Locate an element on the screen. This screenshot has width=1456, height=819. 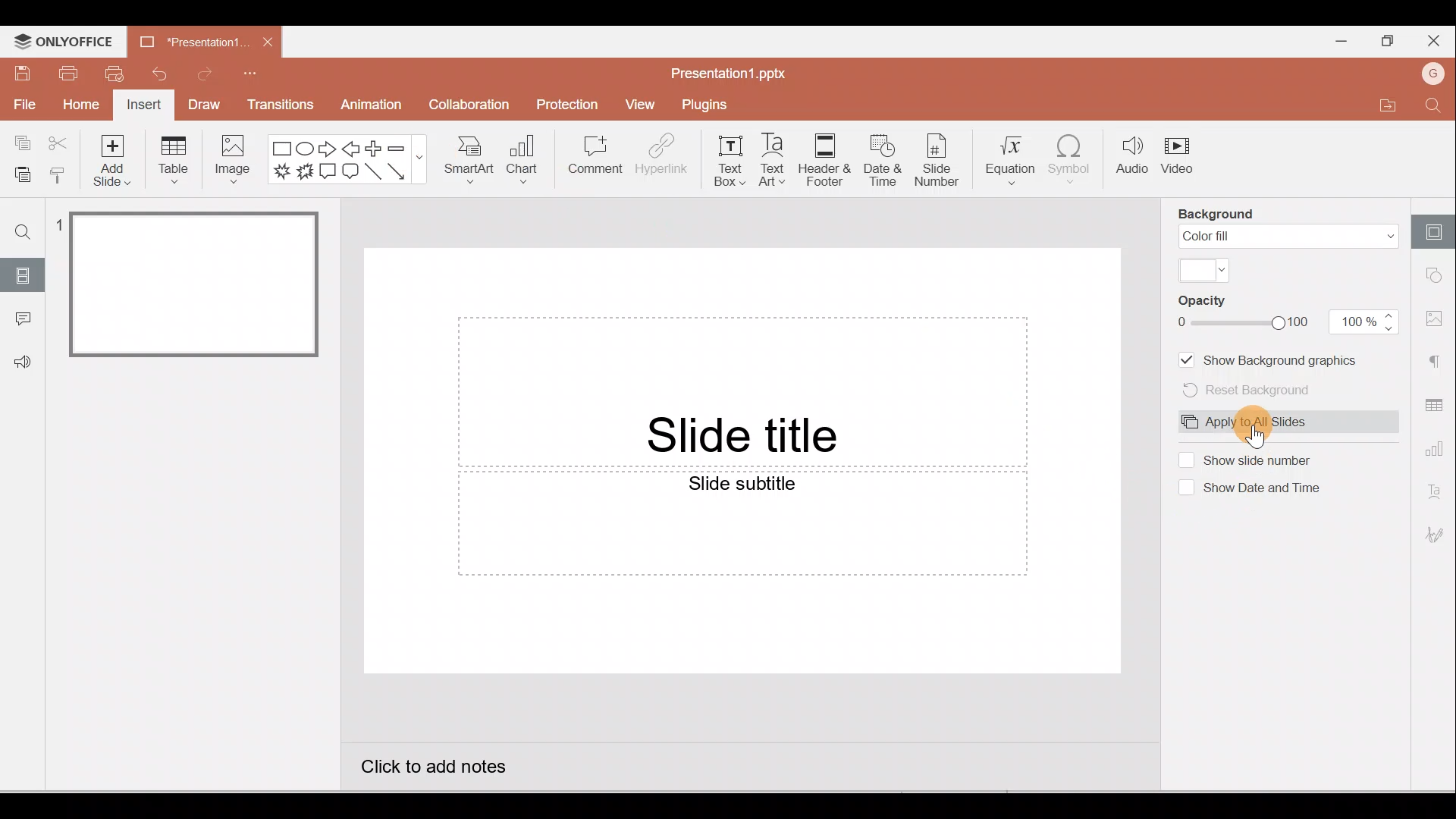
Protection is located at coordinates (569, 102).